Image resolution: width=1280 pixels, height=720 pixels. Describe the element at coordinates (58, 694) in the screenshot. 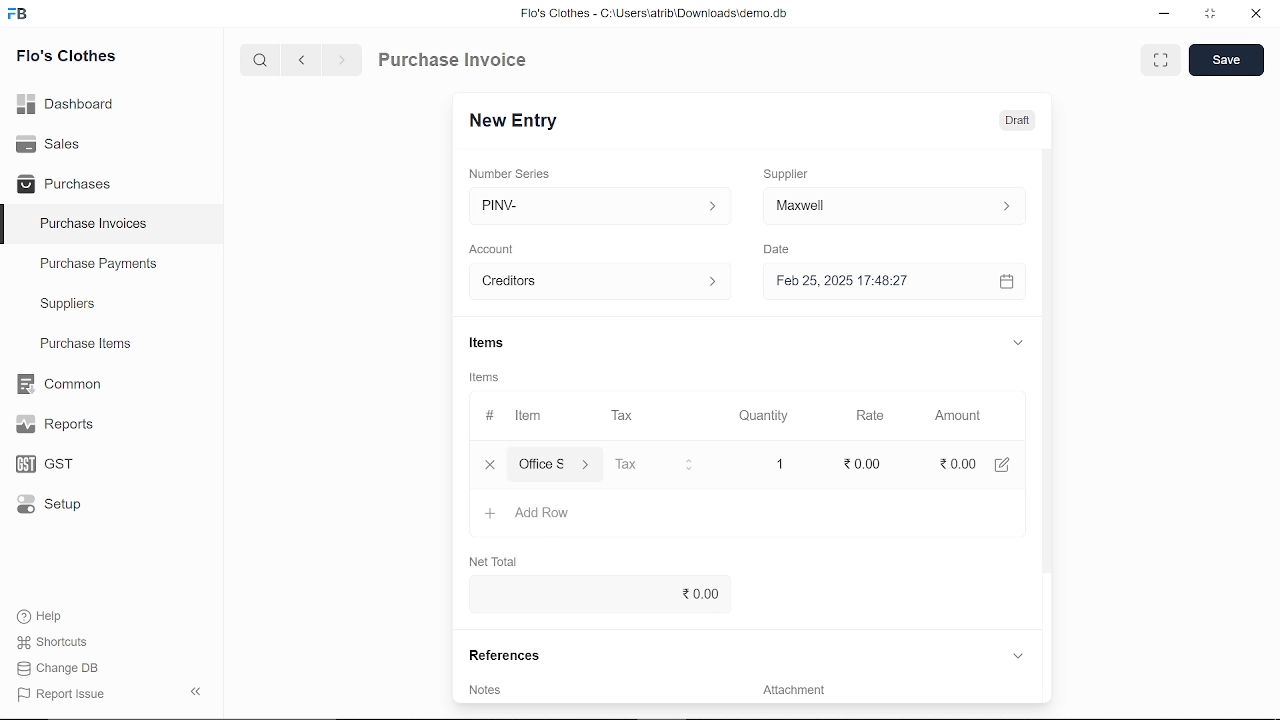

I see `J Report Issue` at that location.